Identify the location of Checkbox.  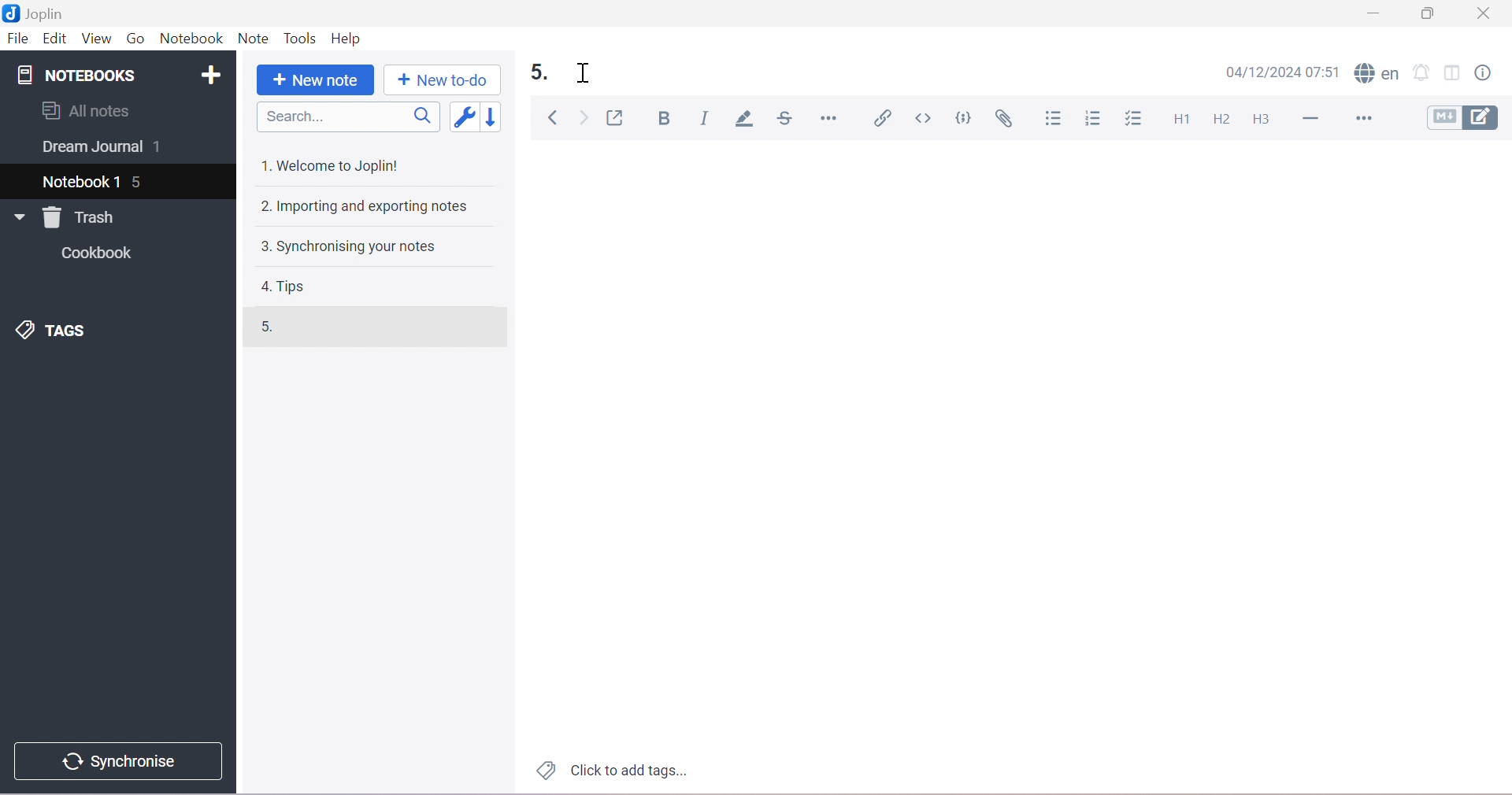
(1137, 119).